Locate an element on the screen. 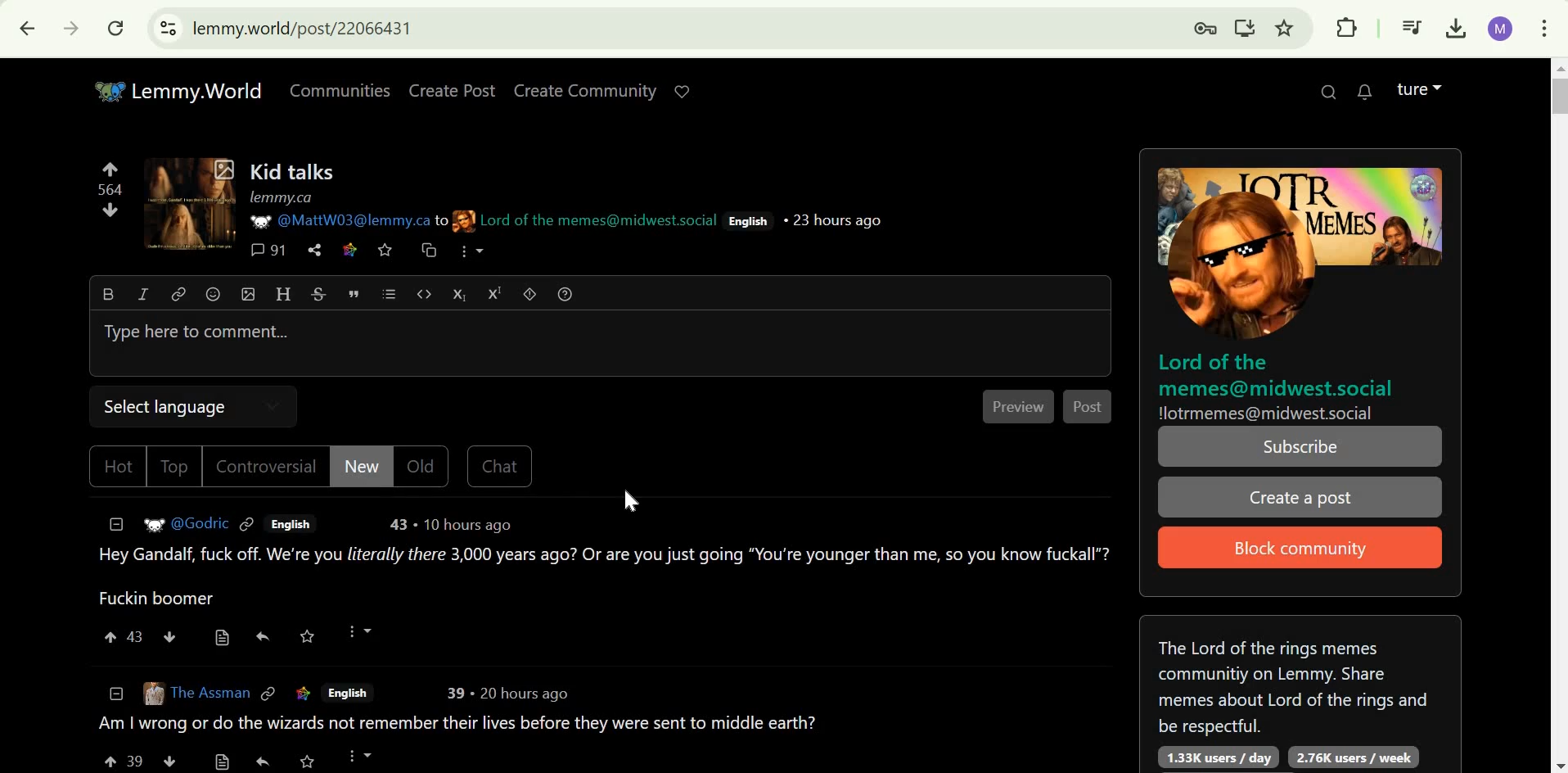 Image resolution: width=1568 pixels, height=773 pixels. spoiler is located at coordinates (529, 293).